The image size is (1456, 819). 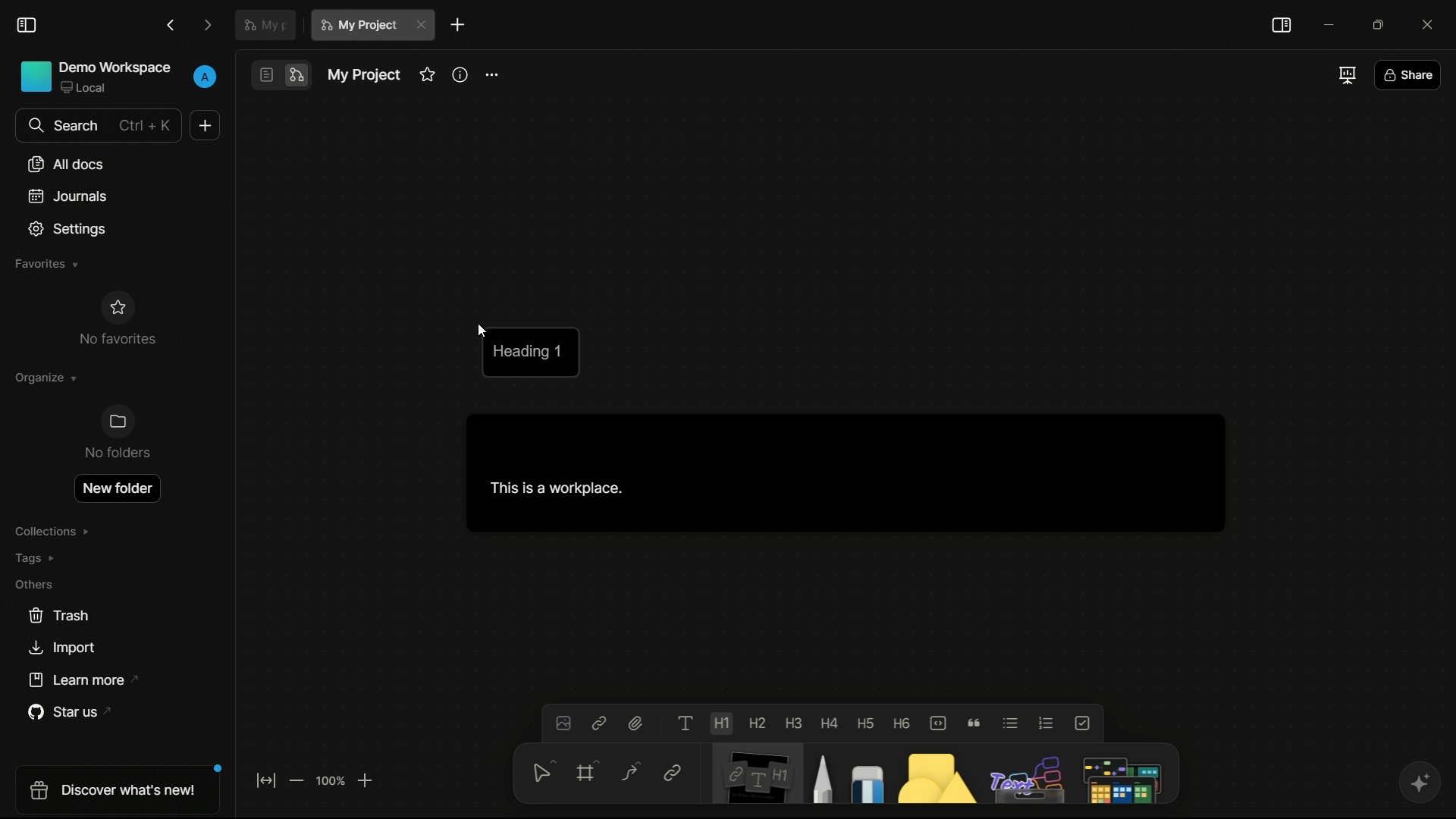 I want to click on profile, so click(x=205, y=77).